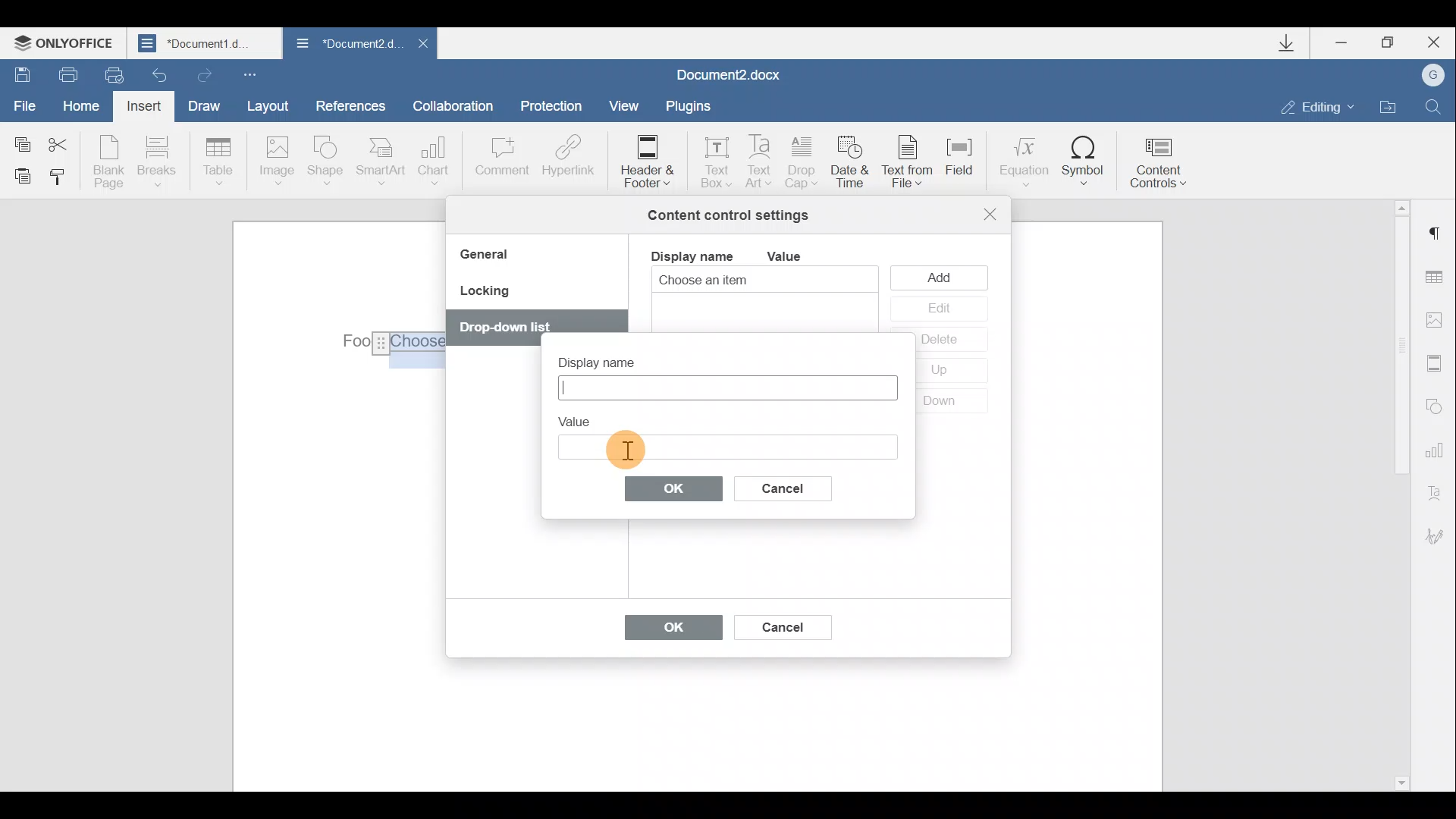 This screenshot has height=819, width=1456. What do you see at coordinates (67, 142) in the screenshot?
I see `Cut` at bounding box center [67, 142].